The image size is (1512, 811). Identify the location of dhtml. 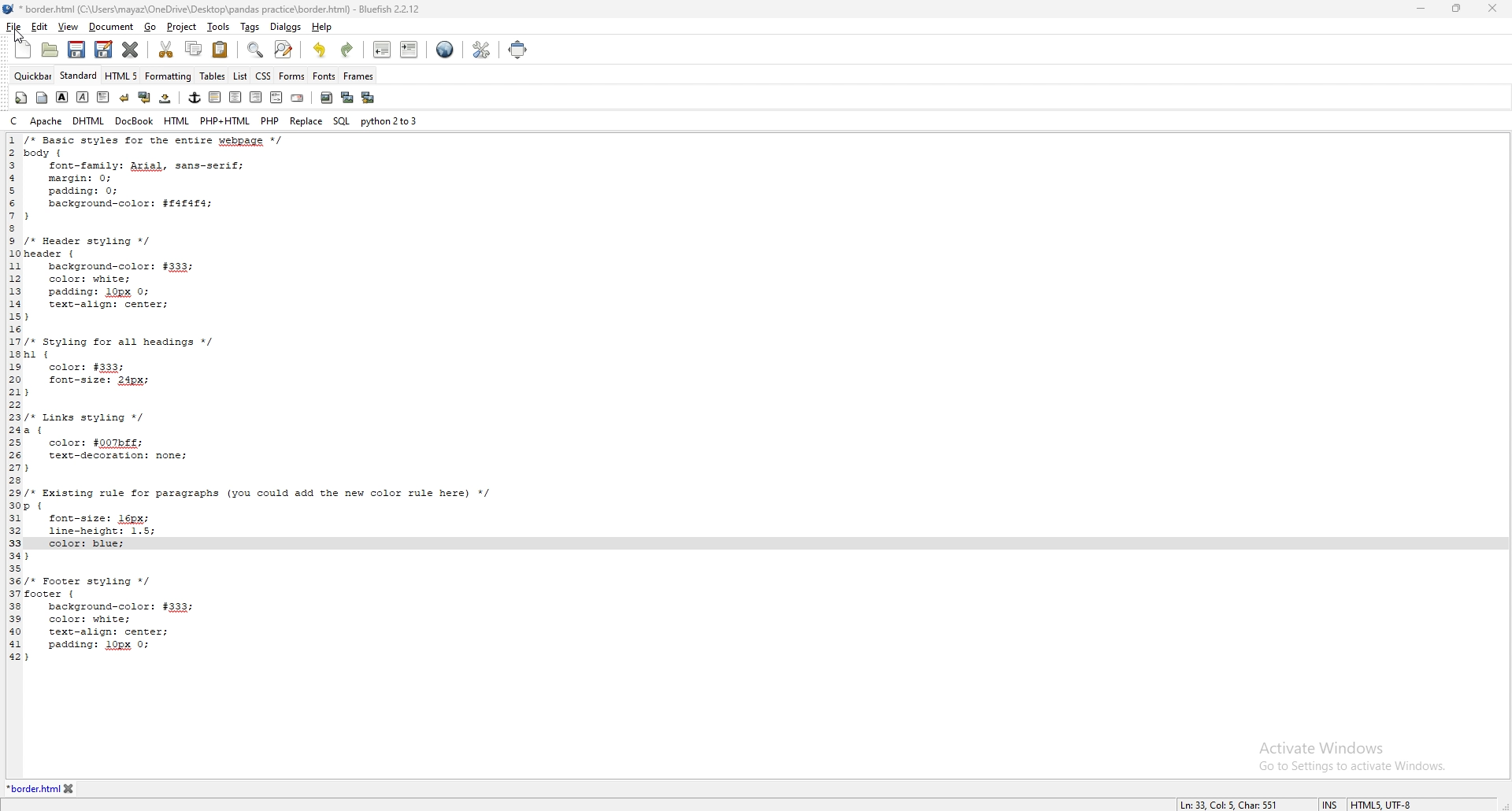
(89, 121).